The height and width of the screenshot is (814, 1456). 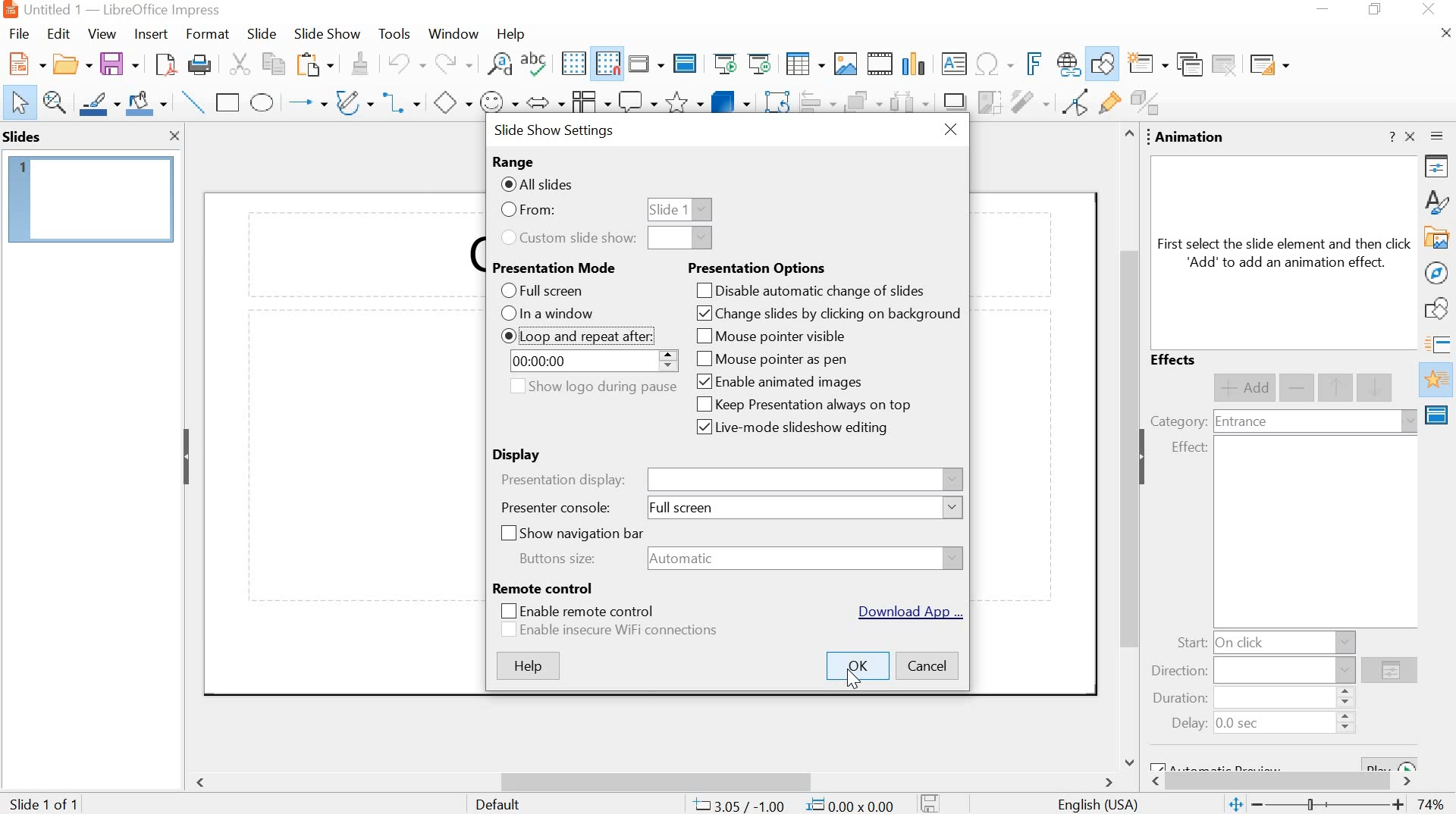 What do you see at coordinates (1189, 448) in the screenshot?
I see `effect` at bounding box center [1189, 448].